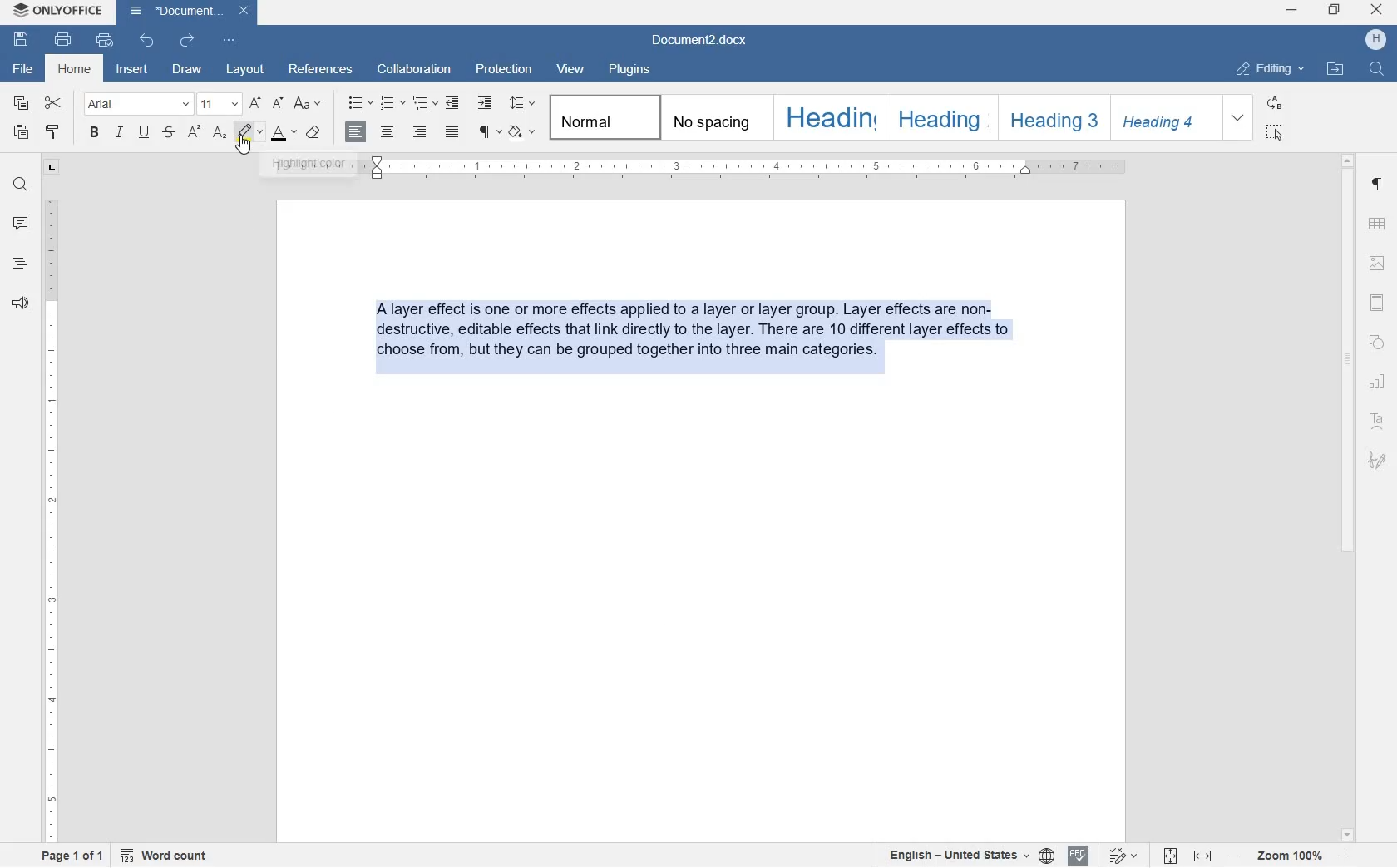 The image size is (1397, 868). What do you see at coordinates (229, 40) in the screenshot?
I see `CUSTOMIZE QUICK ACCESS TOOLBAR` at bounding box center [229, 40].